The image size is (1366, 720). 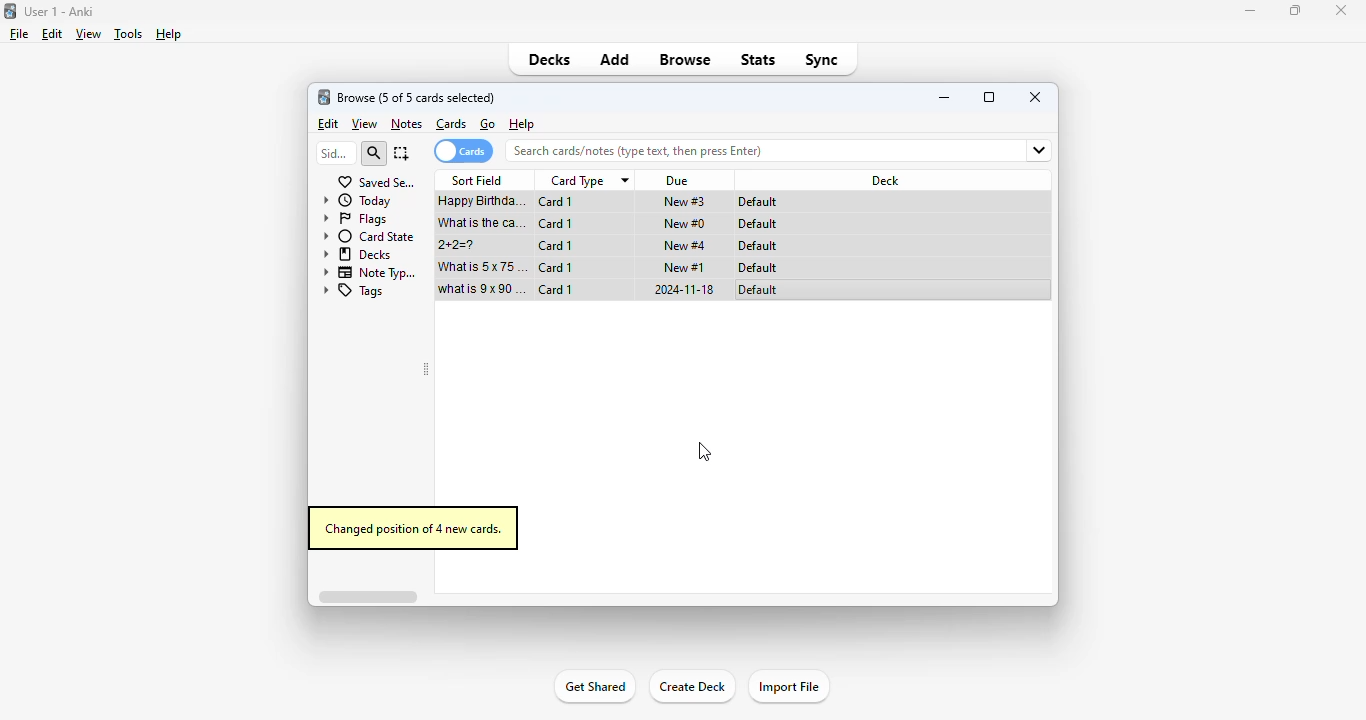 I want to click on view, so click(x=365, y=124).